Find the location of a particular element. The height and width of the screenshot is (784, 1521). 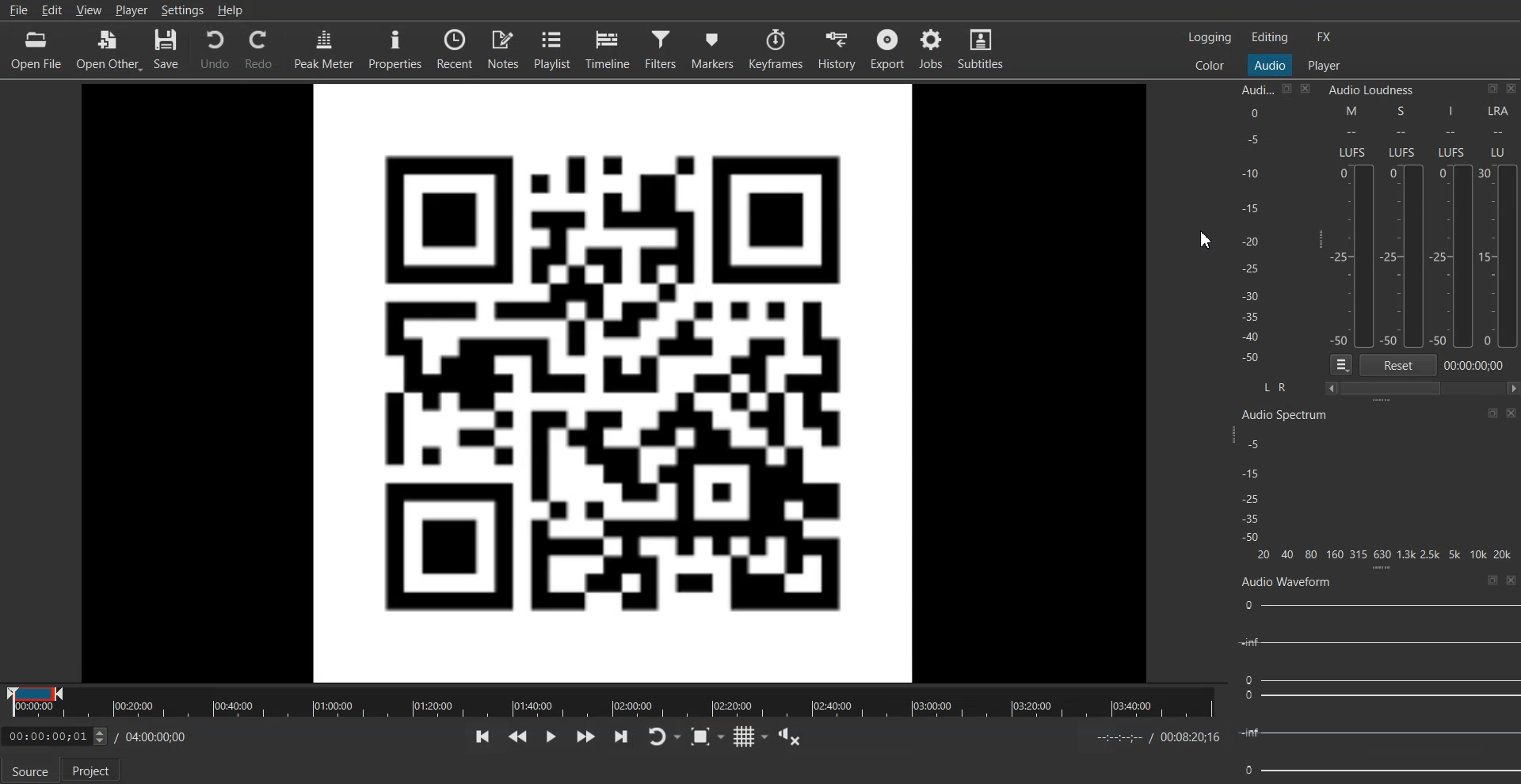

End timeline is located at coordinates (1160, 736).